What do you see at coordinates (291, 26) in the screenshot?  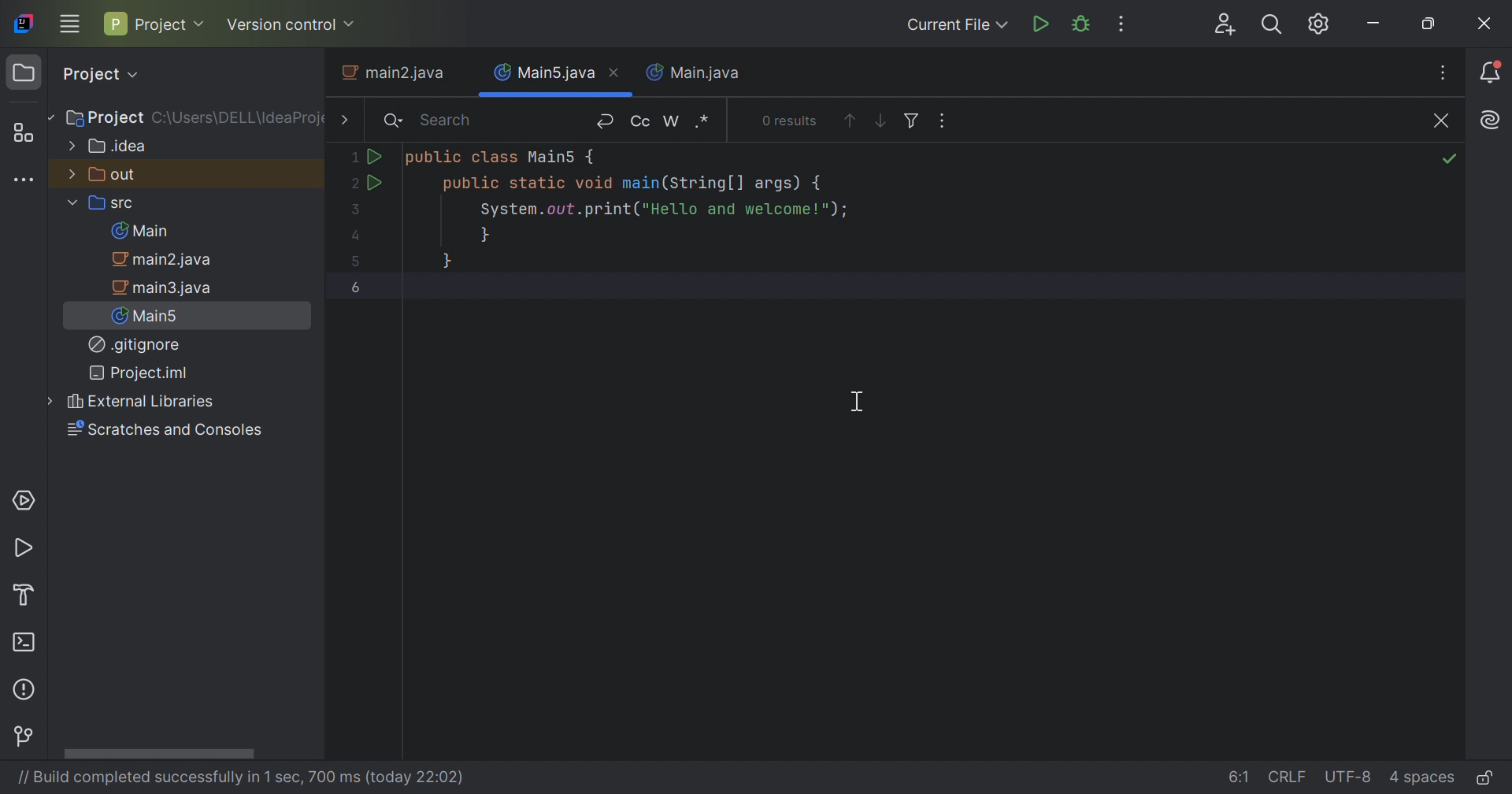 I see `Version control` at bounding box center [291, 26].